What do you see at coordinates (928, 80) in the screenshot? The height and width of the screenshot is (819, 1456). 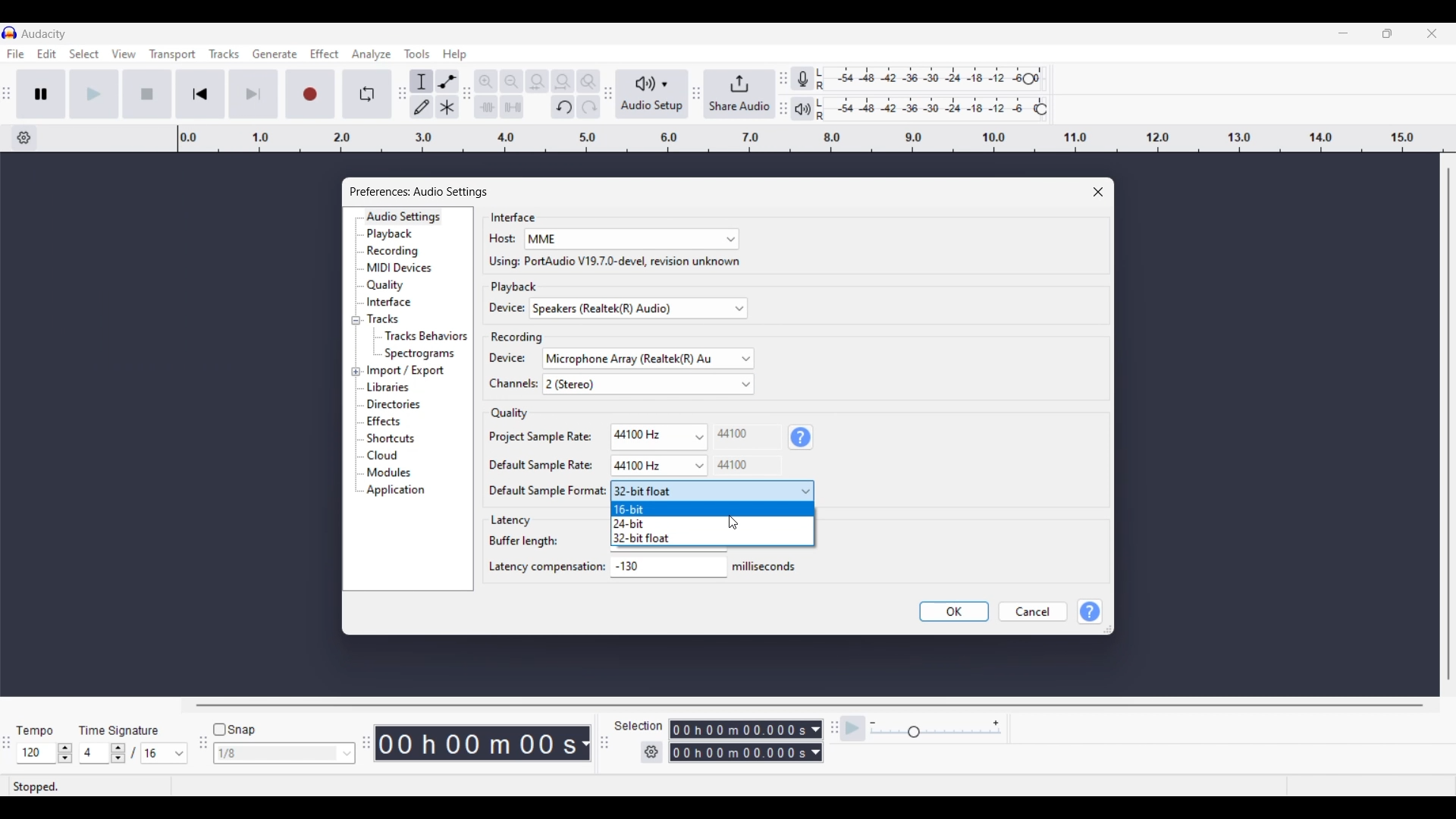 I see `Recording level` at bounding box center [928, 80].